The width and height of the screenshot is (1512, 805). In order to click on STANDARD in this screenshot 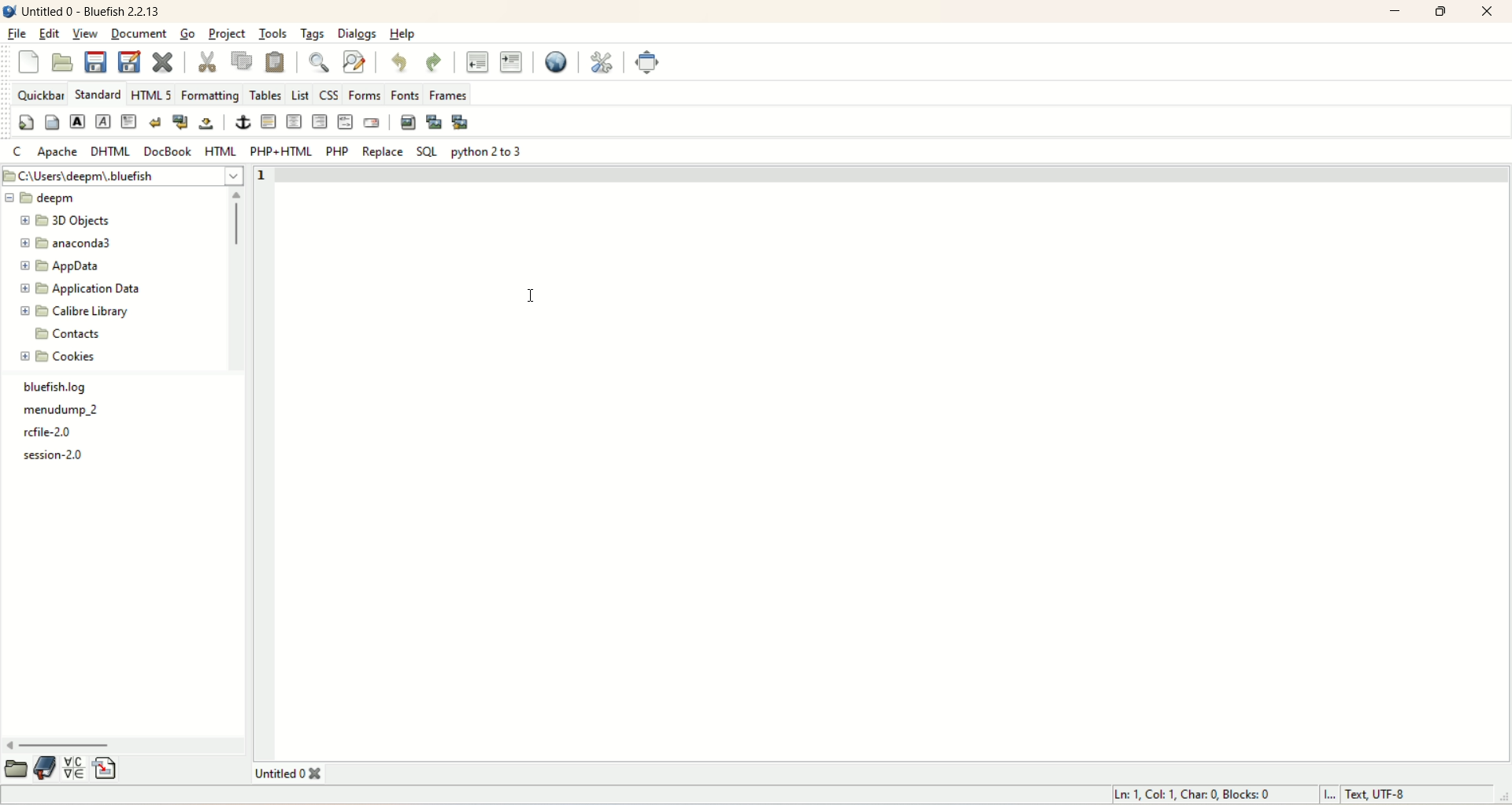, I will do `click(101, 95)`.